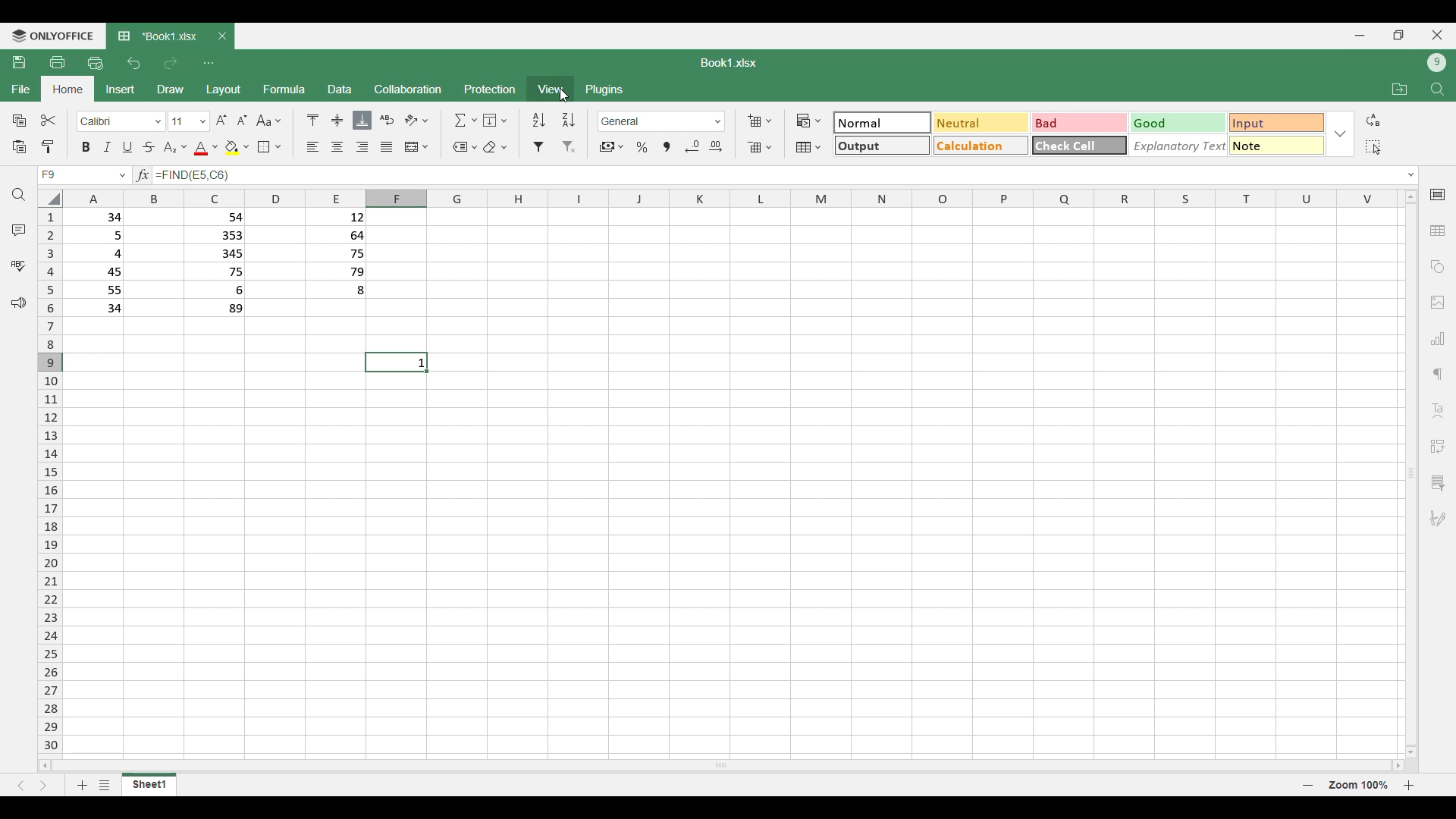  Describe the element at coordinates (1178, 146) in the screenshot. I see `Explanatory test cell` at that location.